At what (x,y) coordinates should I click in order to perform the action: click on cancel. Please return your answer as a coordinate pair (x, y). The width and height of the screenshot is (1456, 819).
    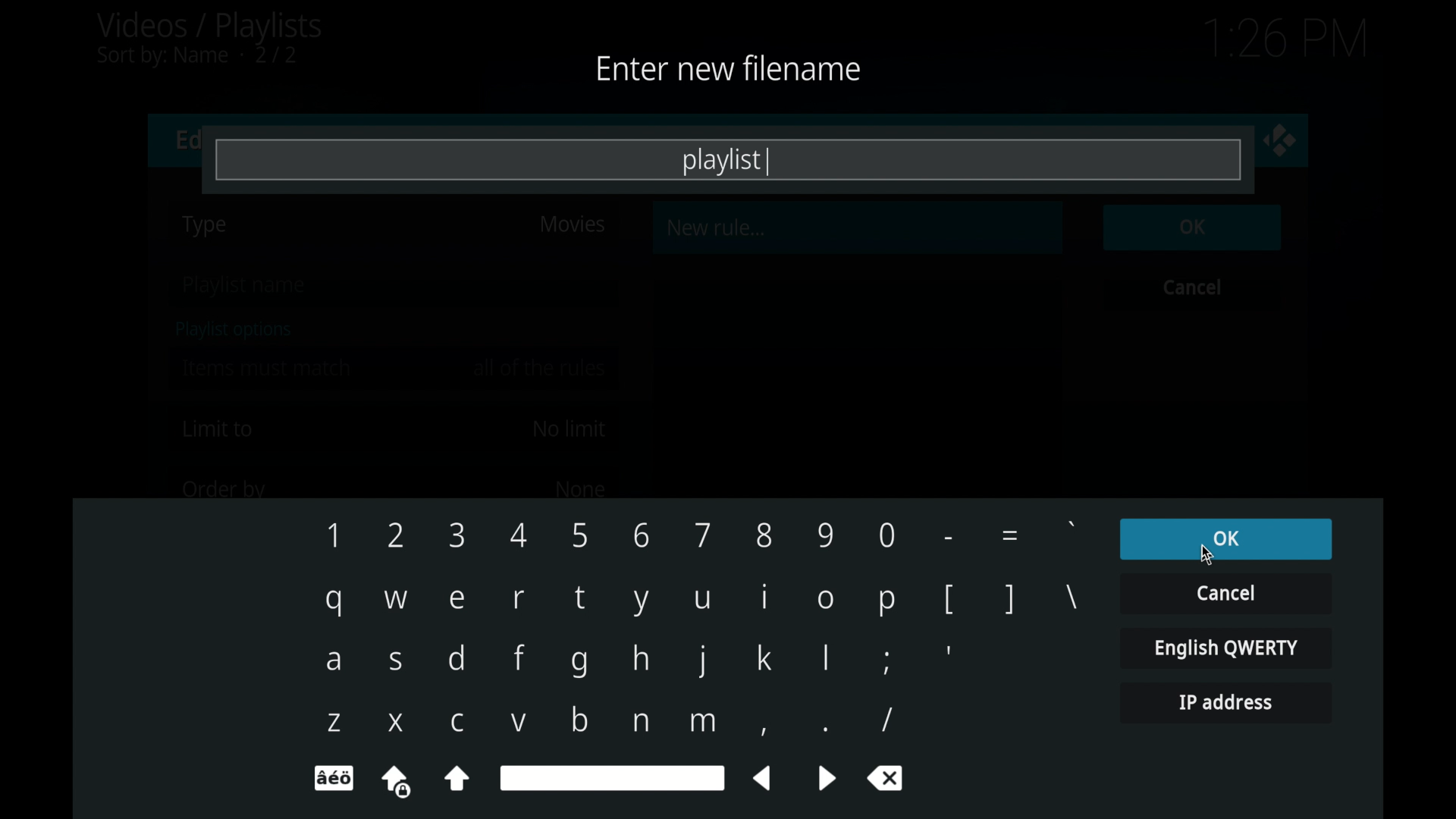
    Looking at the image, I should click on (1225, 592).